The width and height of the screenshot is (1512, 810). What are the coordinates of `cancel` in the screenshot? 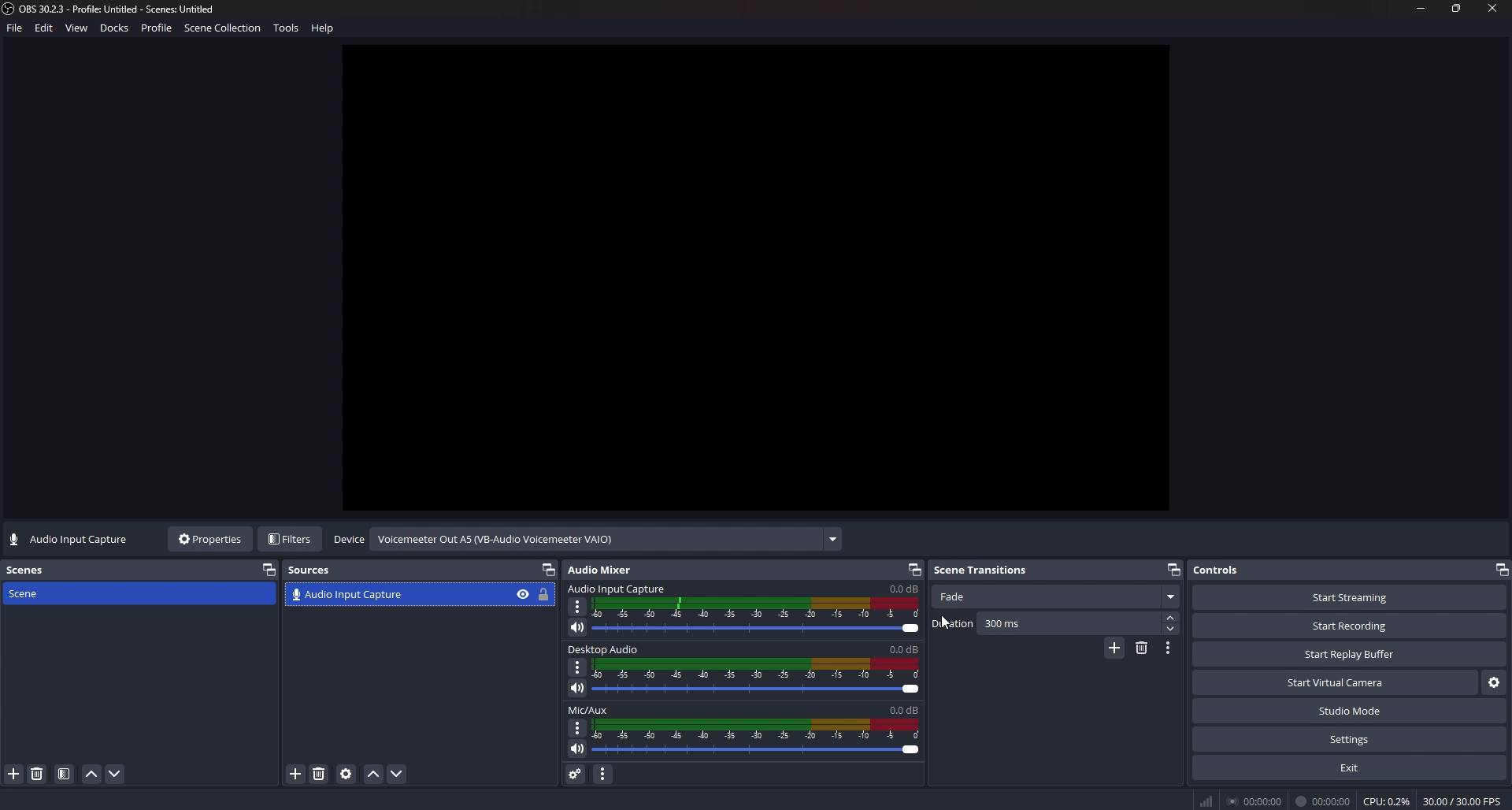 It's located at (756, 738).